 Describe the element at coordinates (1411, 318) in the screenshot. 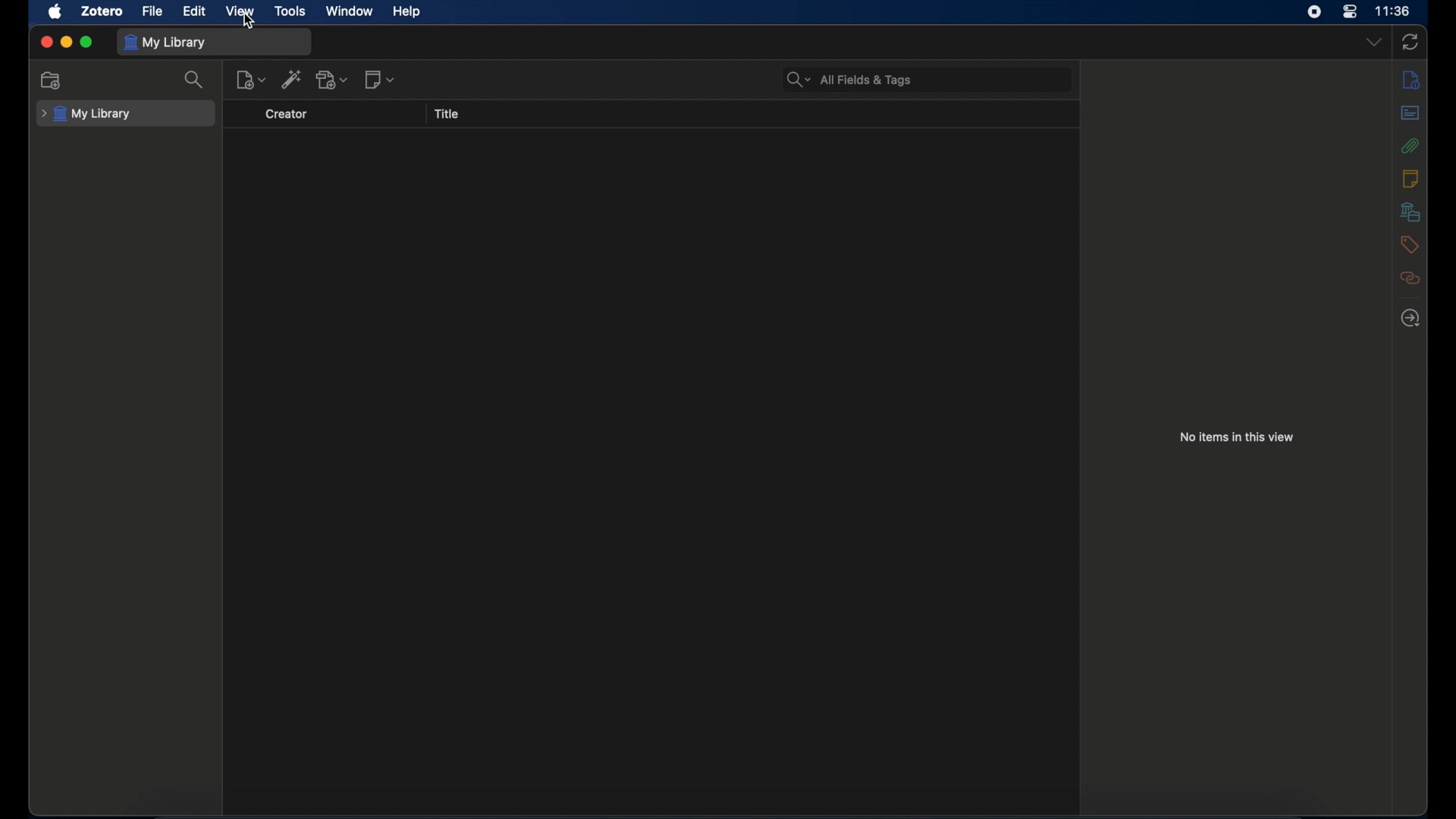

I see `related` at that location.